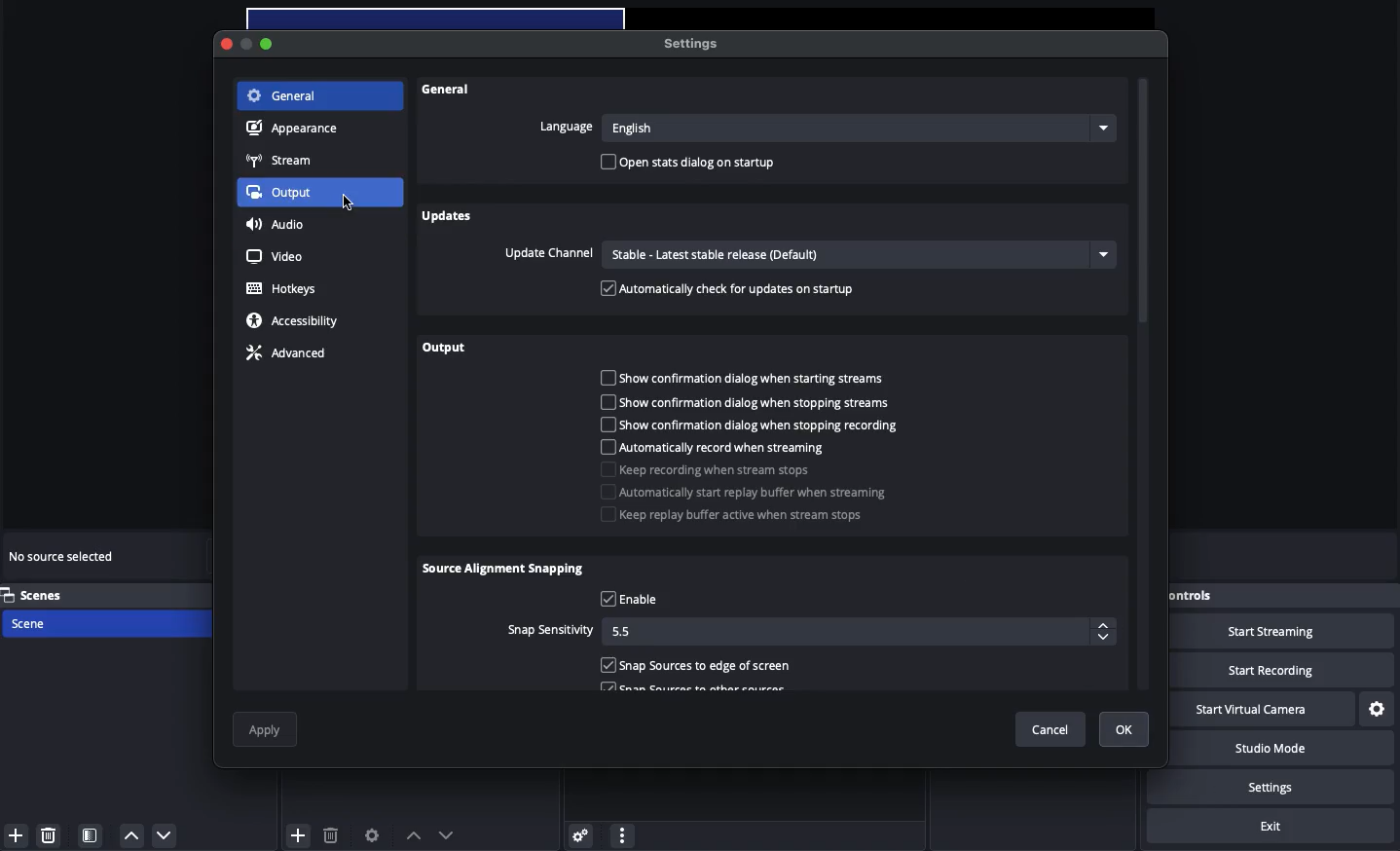  Describe the element at coordinates (46, 595) in the screenshot. I see `Scenes` at that location.